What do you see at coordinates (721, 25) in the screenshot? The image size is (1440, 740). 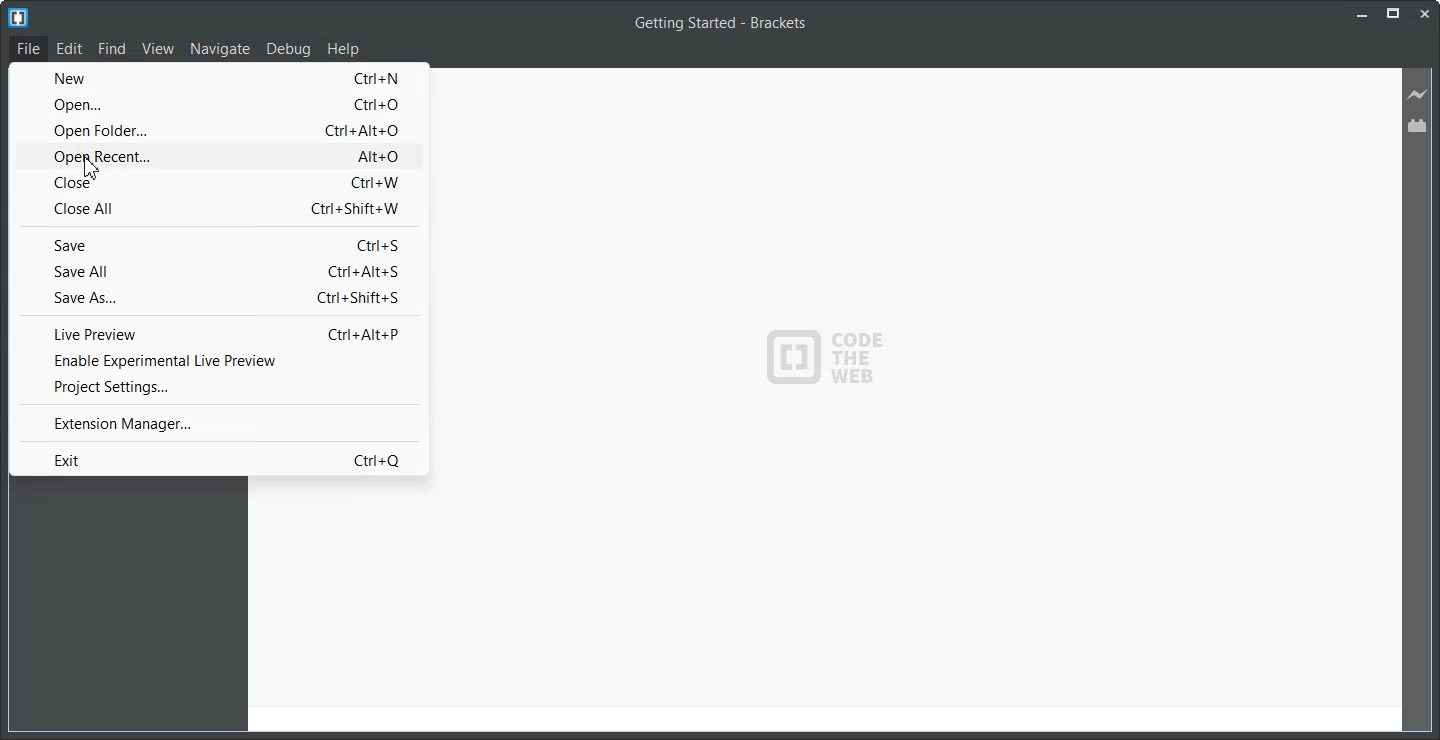 I see `Getting Started - Brackets` at bounding box center [721, 25].